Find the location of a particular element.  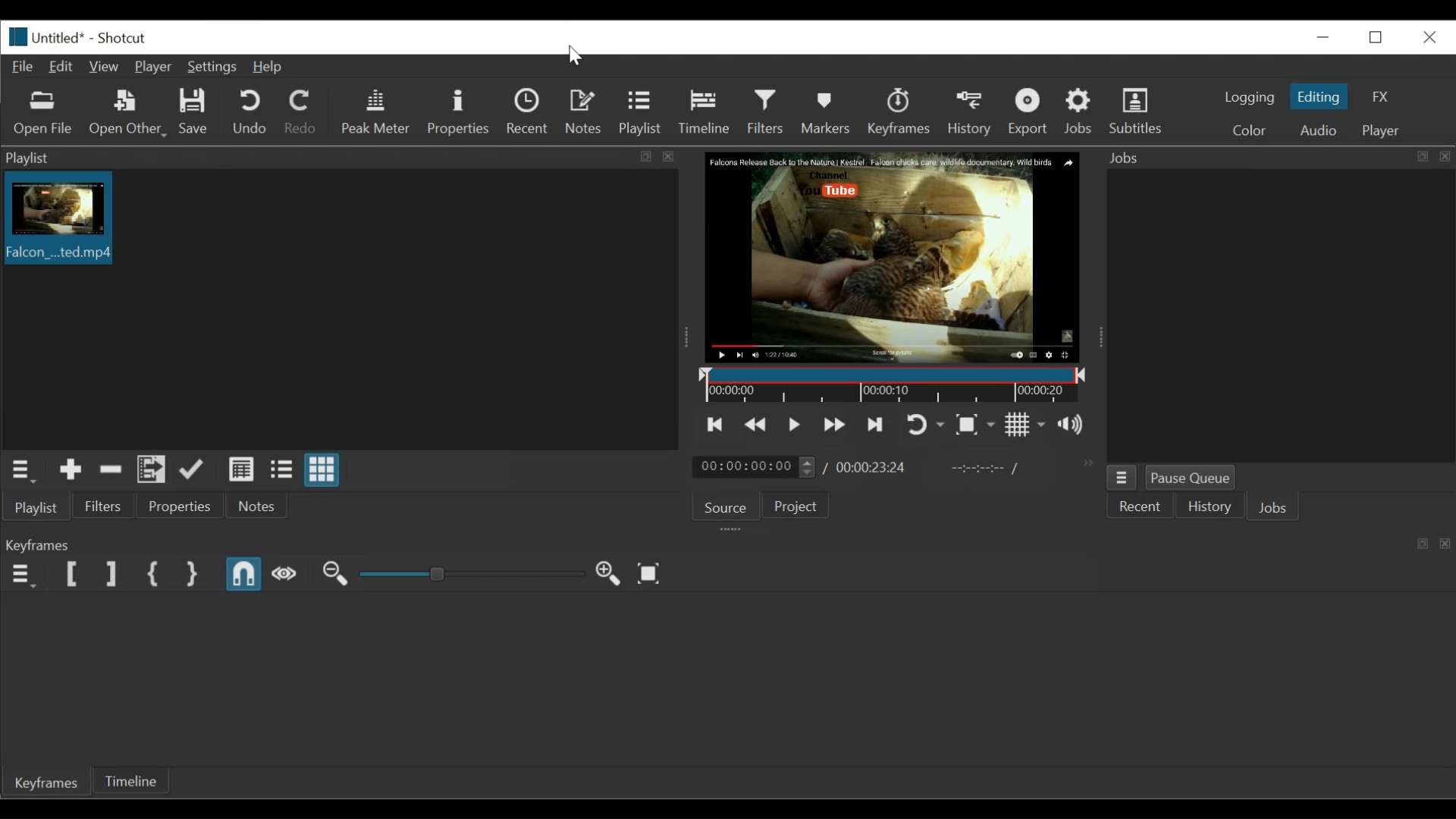

Playlist is located at coordinates (38, 508).